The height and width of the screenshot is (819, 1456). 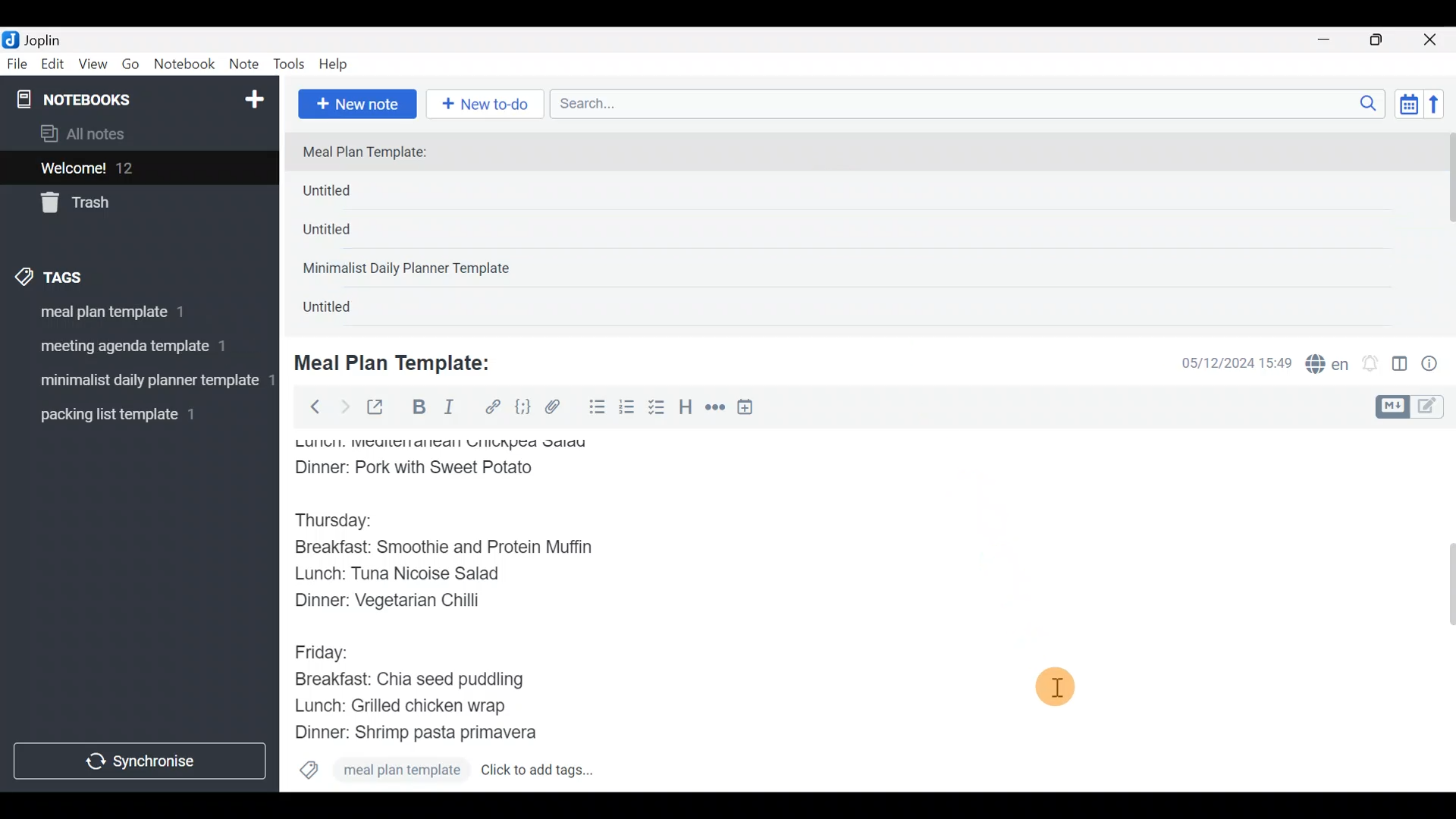 What do you see at coordinates (52, 38) in the screenshot?
I see `Joplin` at bounding box center [52, 38].